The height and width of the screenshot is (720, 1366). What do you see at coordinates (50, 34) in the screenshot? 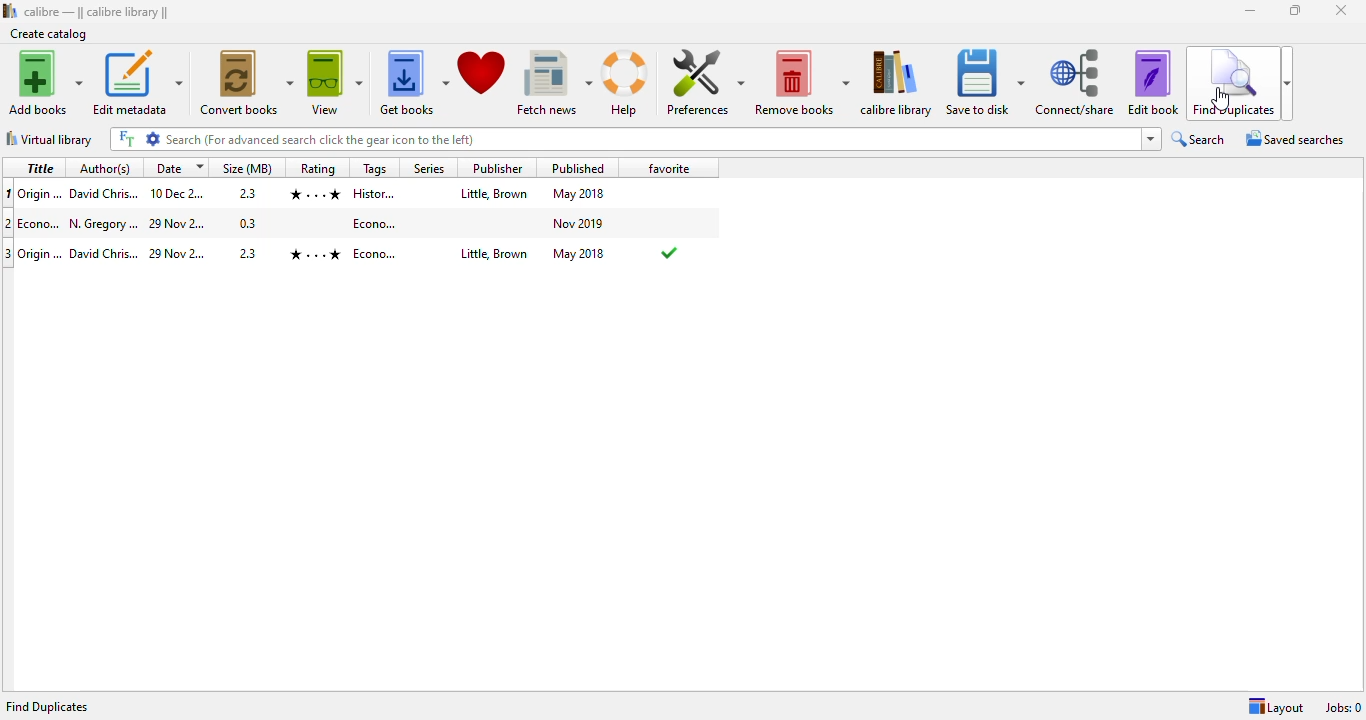
I see `create catalog` at bounding box center [50, 34].